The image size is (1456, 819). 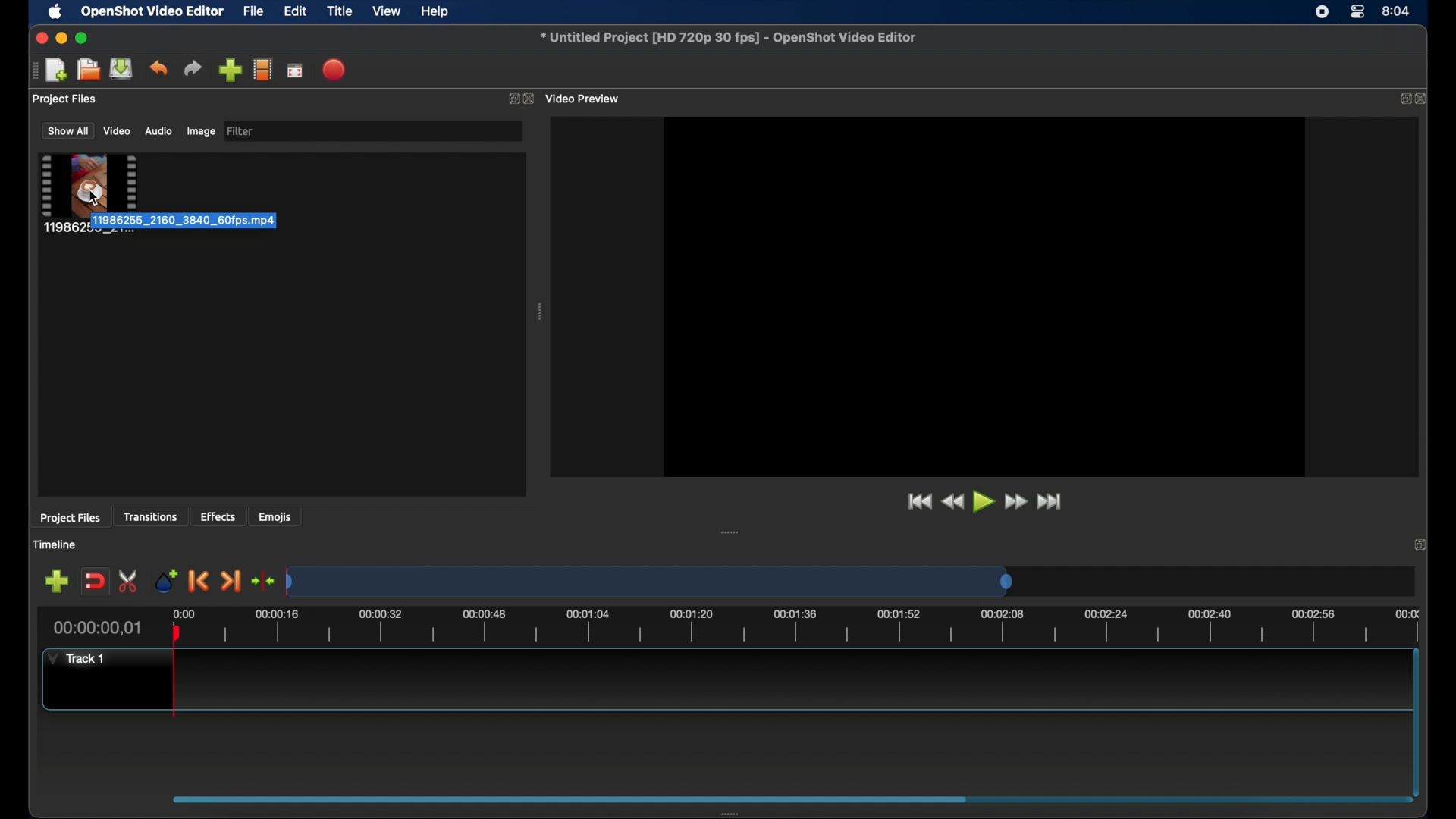 What do you see at coordinates (241, 131) in the screenshot?
I see `filter` at bounding box center [241, 131].